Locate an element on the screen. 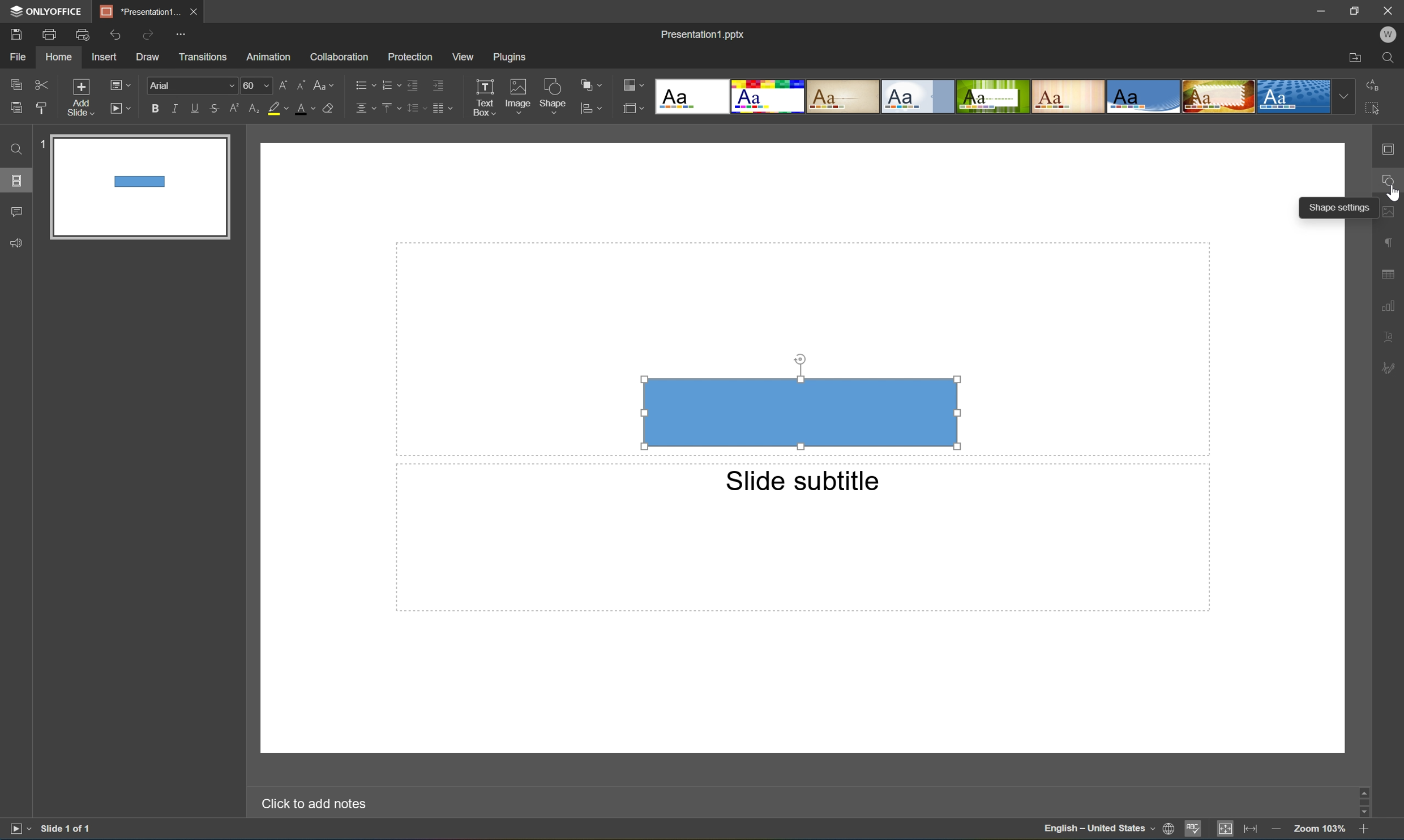 Image resolution: width=1404 pixels, height=840 pixels. Numbering is located at coordinates (387, 84).